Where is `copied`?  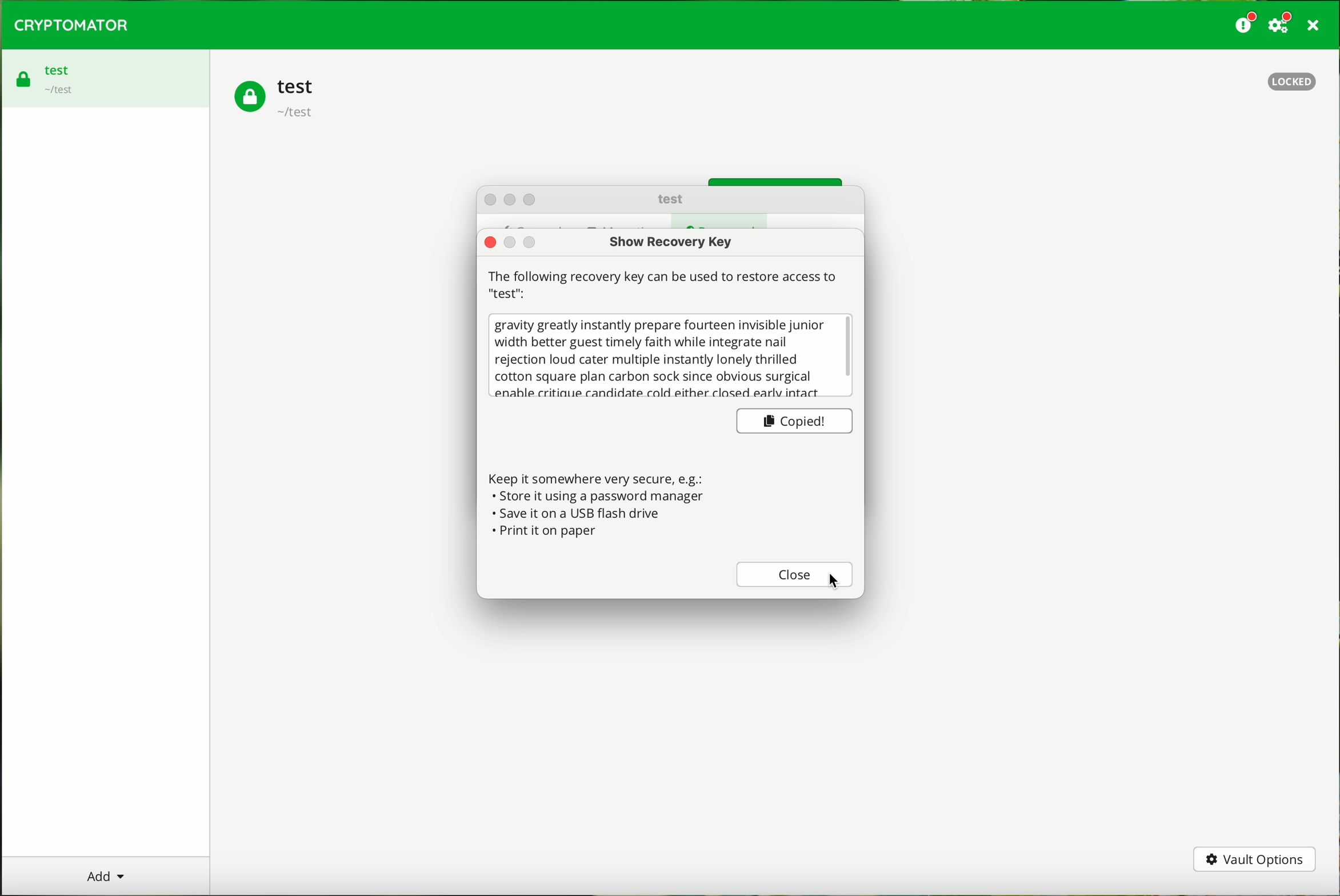
copied is located at coordinates (795, 419).